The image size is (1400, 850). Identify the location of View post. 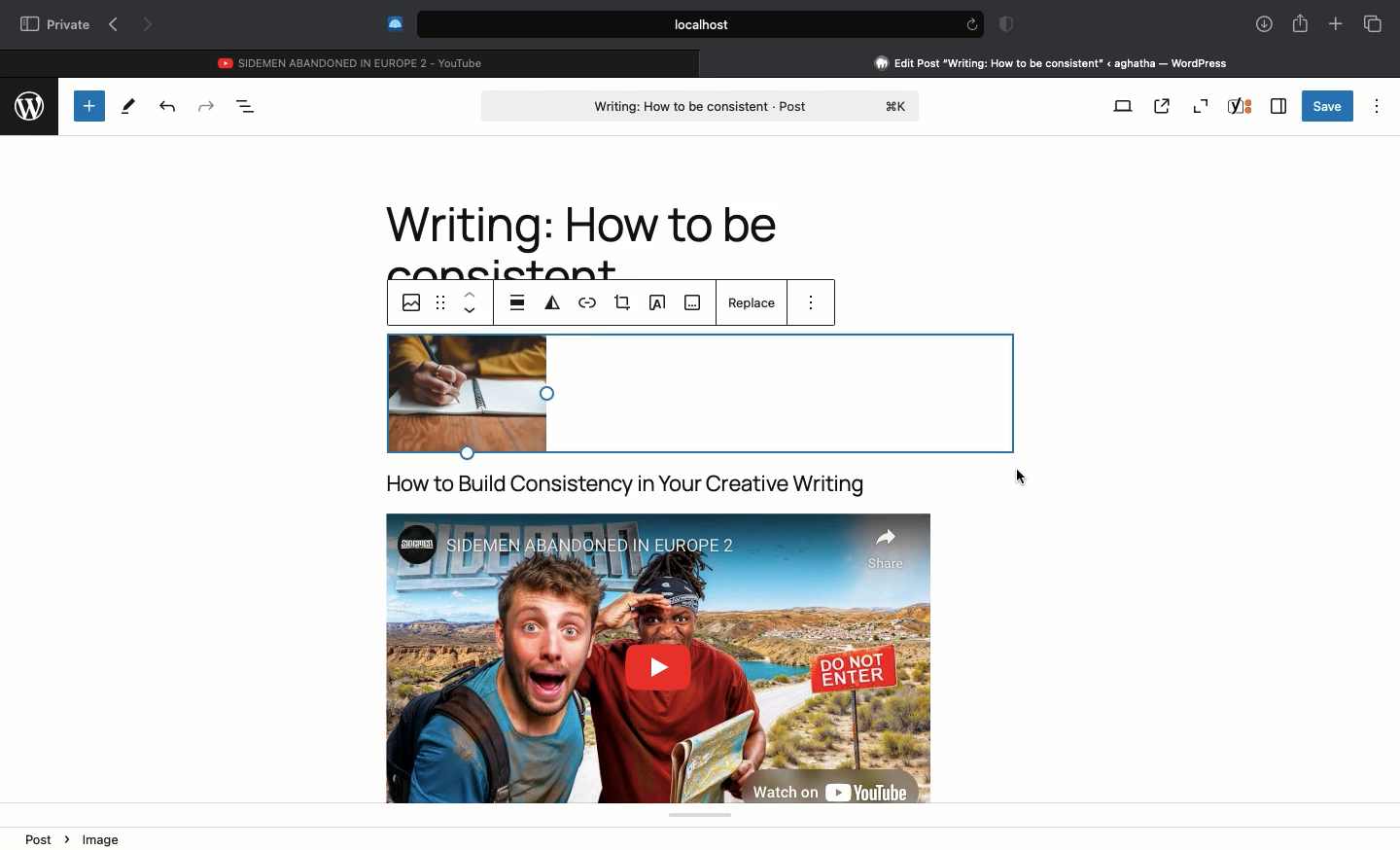
(1162, 105).